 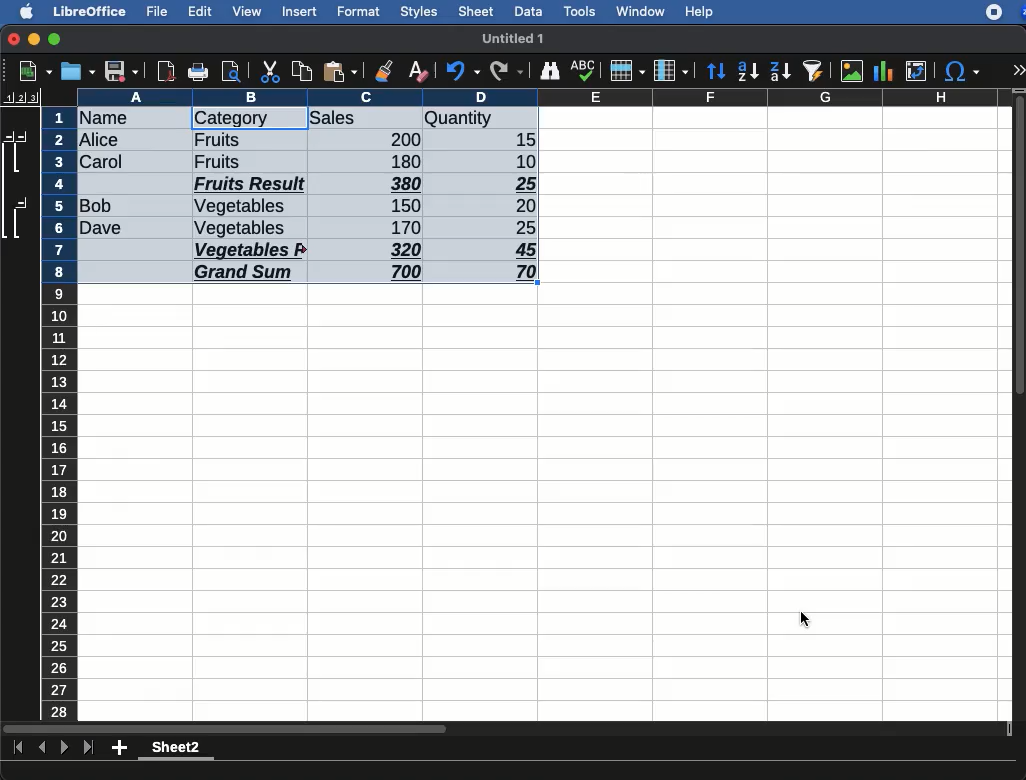 What do you see at coordinates (400, 139) in the screenshot?
I see `200` at bounding box center [400, 139].